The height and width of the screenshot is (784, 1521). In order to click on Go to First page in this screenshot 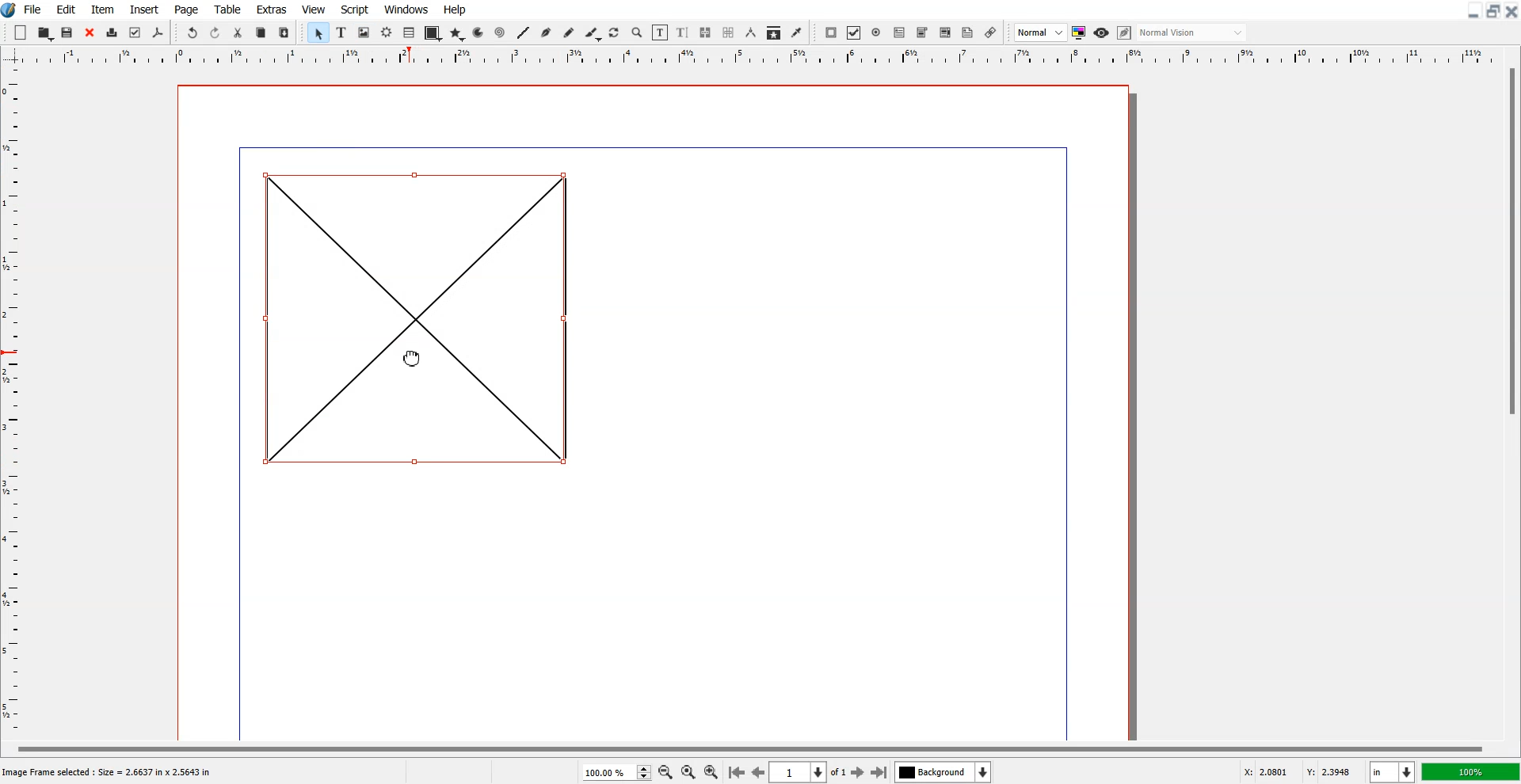, I will do `click(737, 771)`.